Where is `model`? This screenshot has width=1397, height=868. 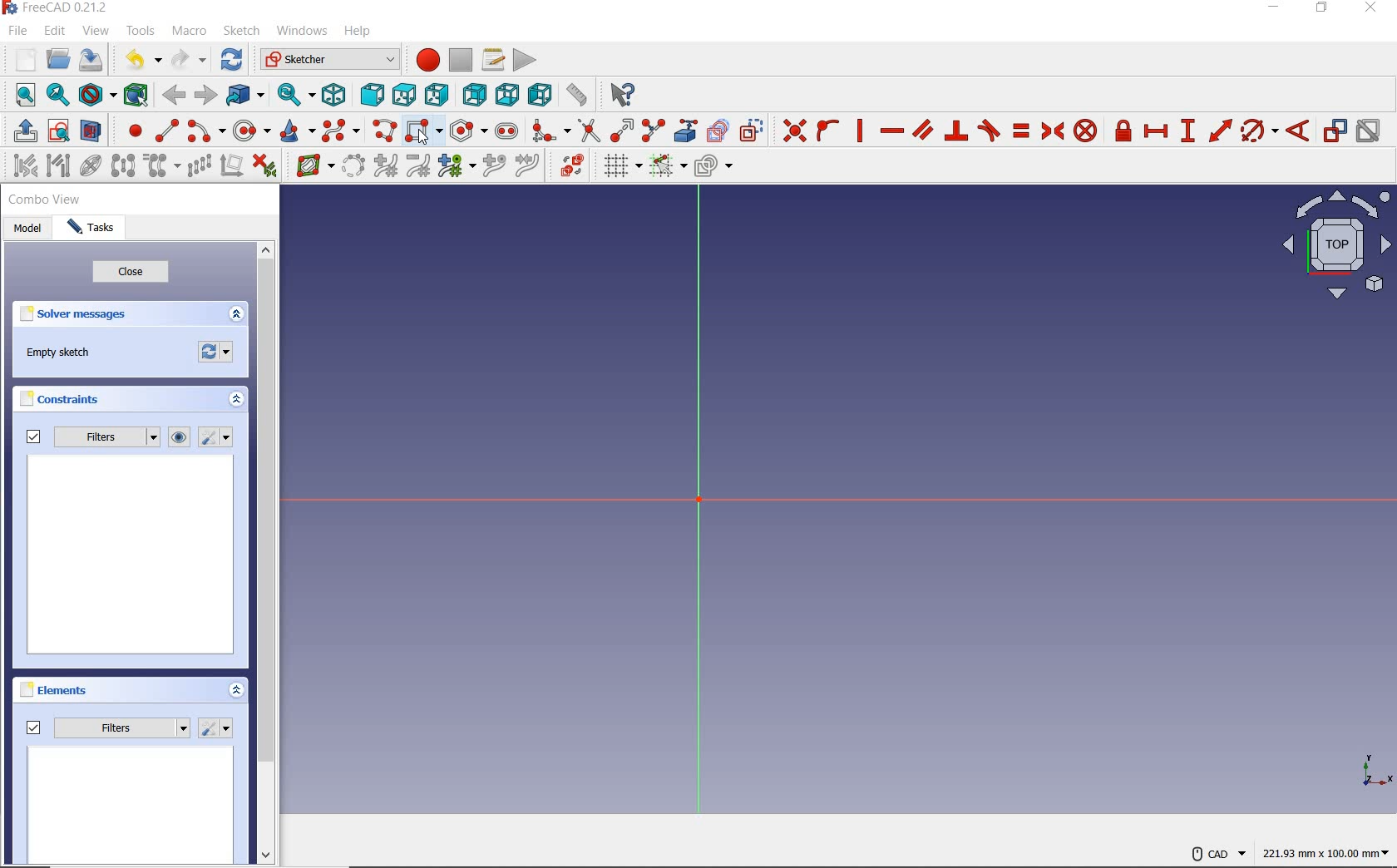
model is located at coordinates (27, 229).